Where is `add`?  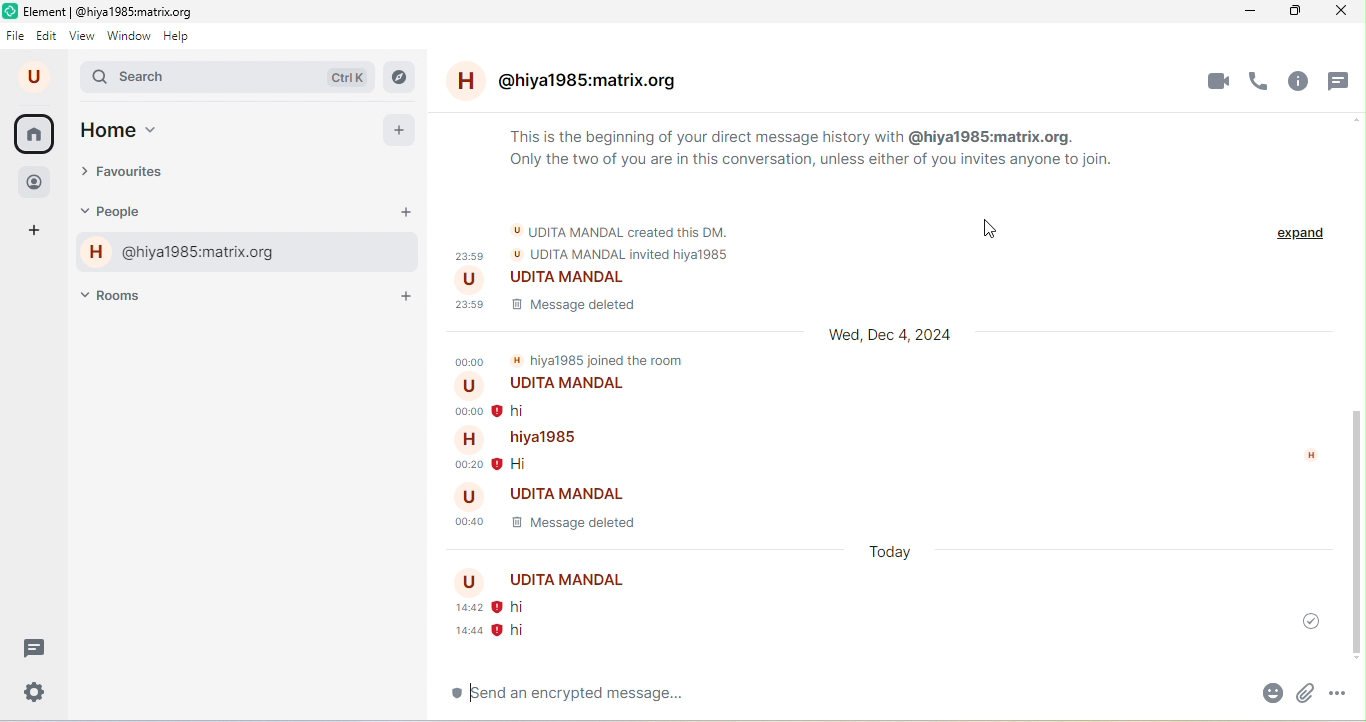
add is located at coordinates (400, 131).